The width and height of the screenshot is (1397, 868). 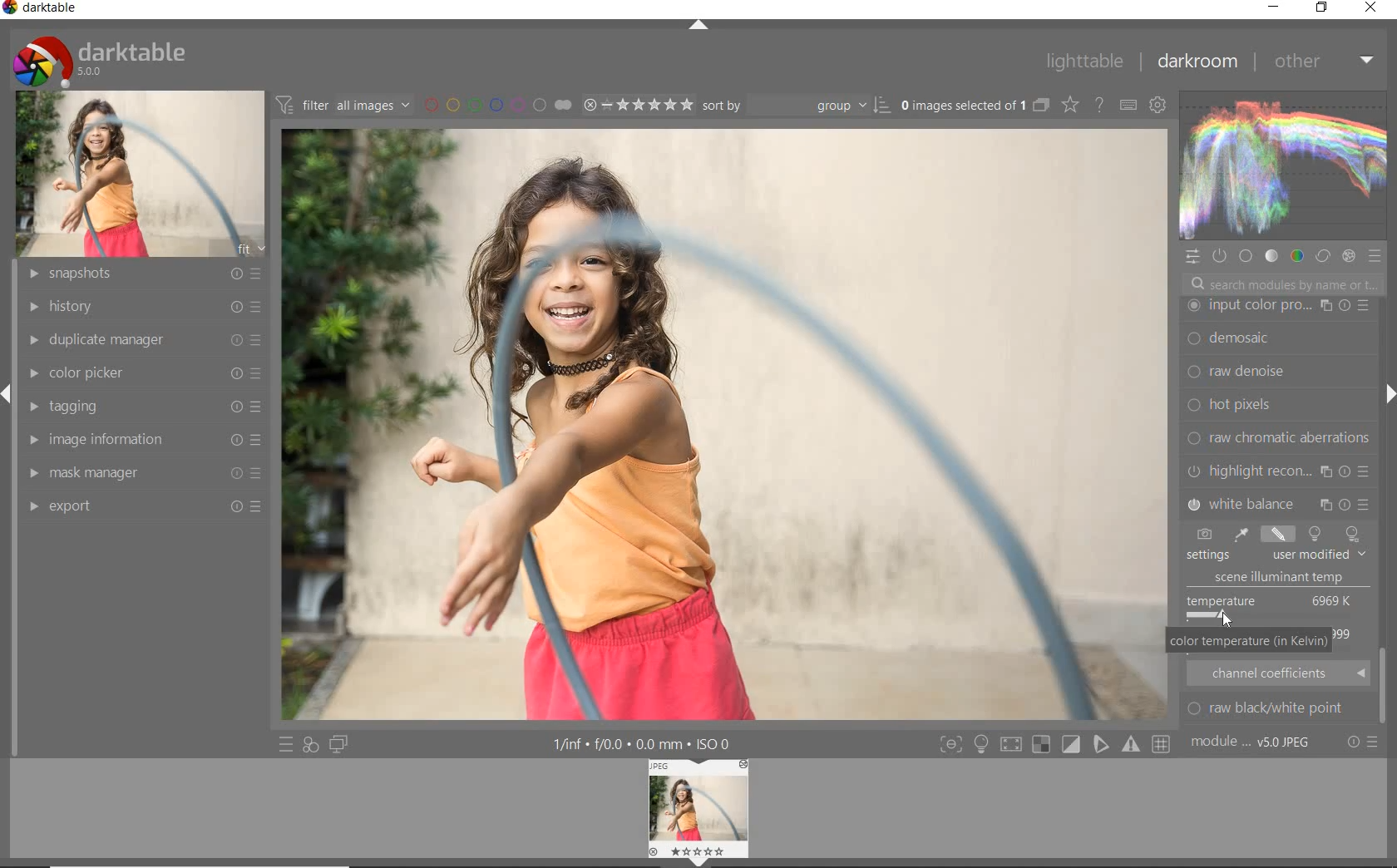 What do you see at coordinates (1040, 106) in the screenshot?
I see `collapse grouped images` at bounding box center [1040, 106].